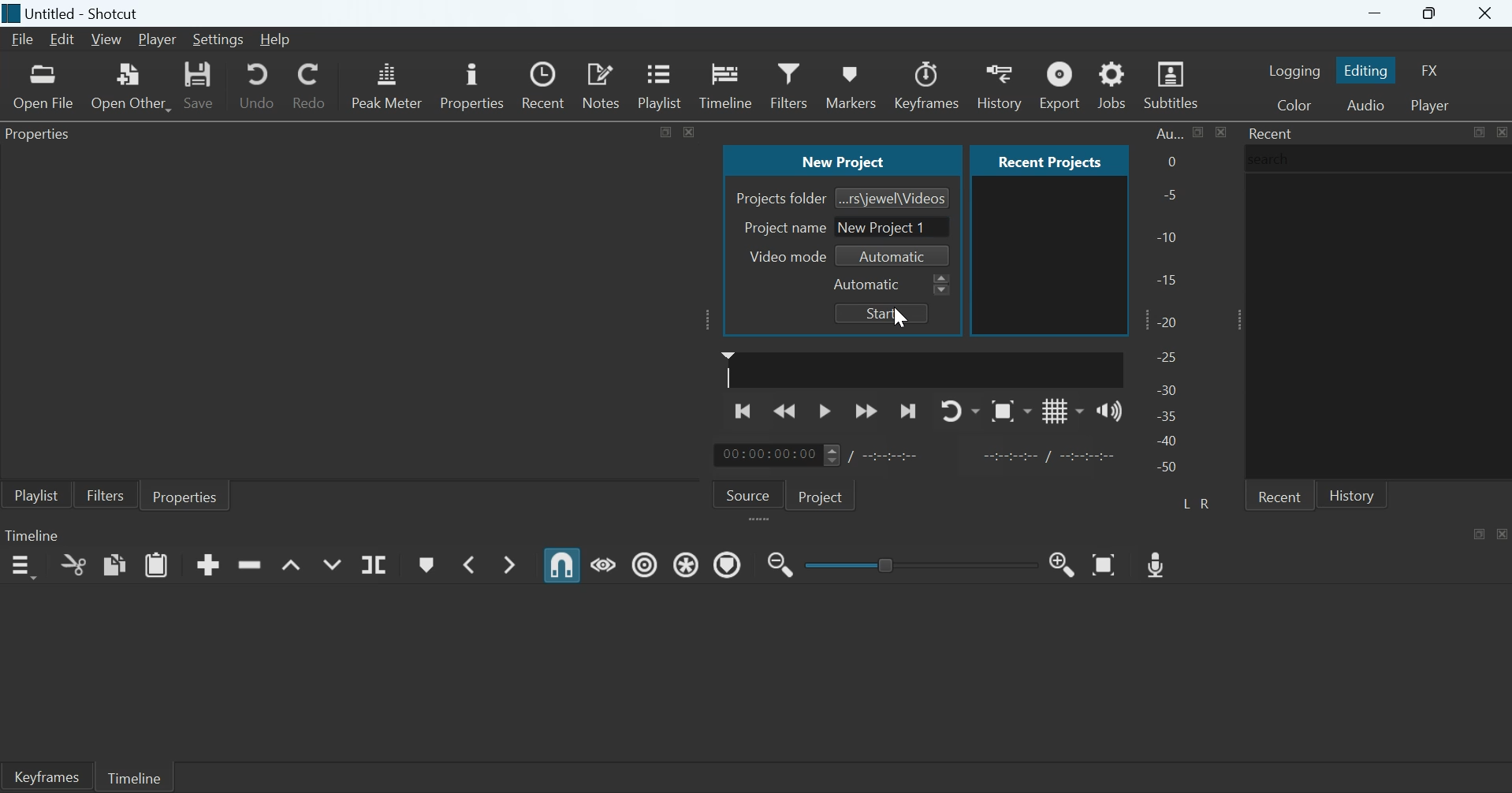 Image resolution: width=1512 pixels, height=793 pixels. I want to click on Maximize, so click(1478, 132).